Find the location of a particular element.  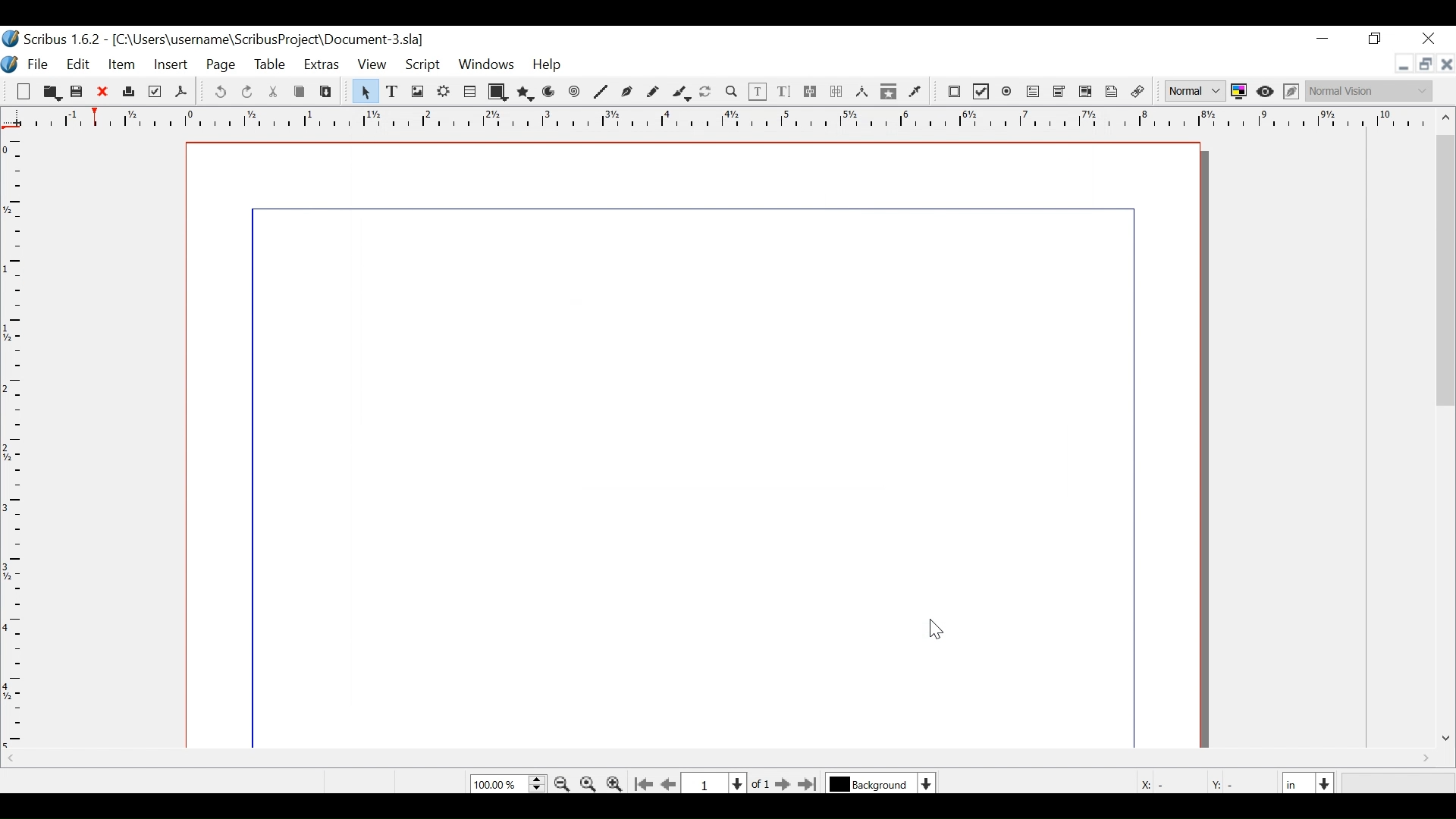

Zoom out is located at coordinates (563, 783).